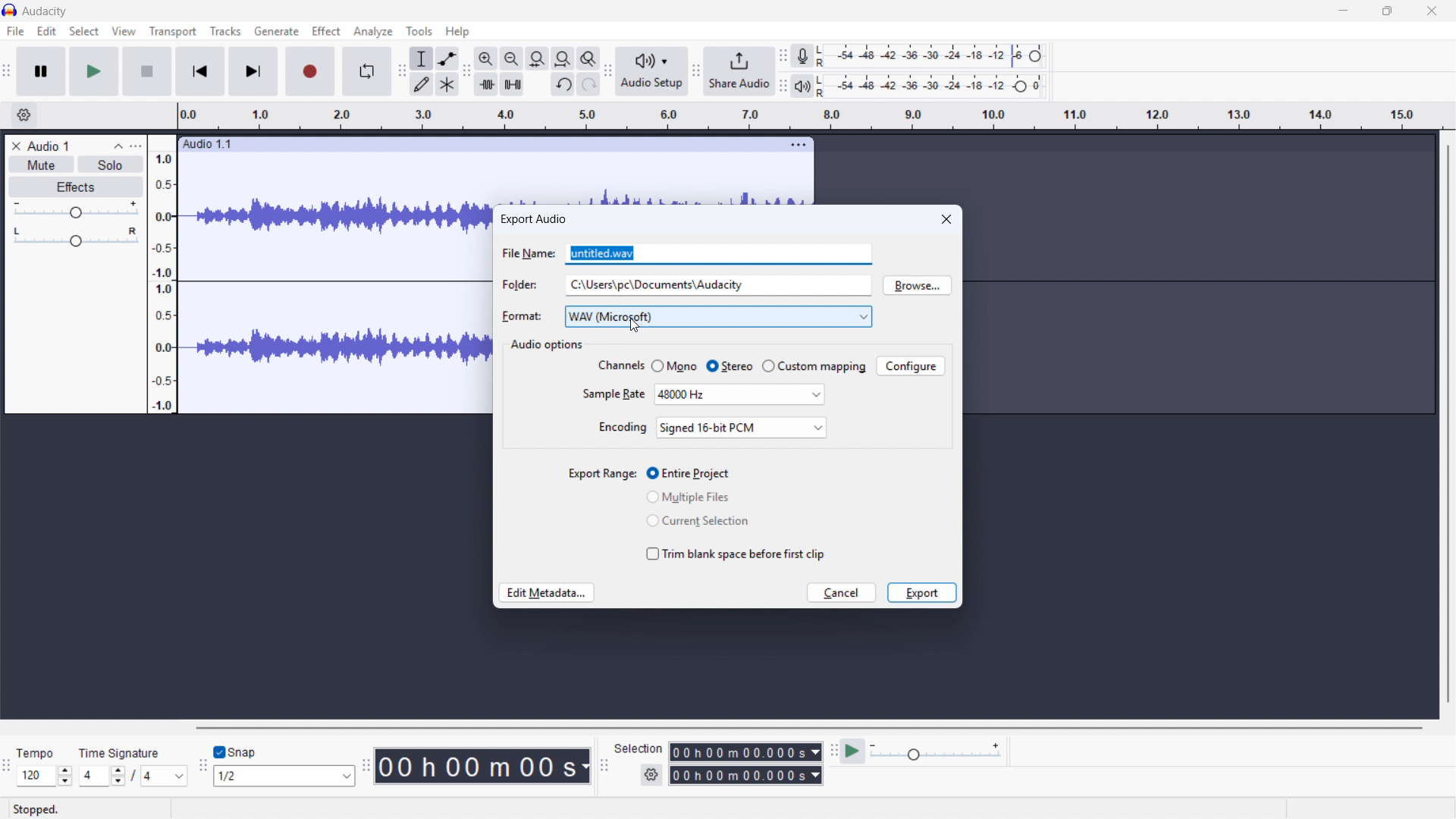 This screenshot has width=1456, height=819. Describe the element at coordinates (911, 366) in the screenshot. I see `Configure ` at that location.